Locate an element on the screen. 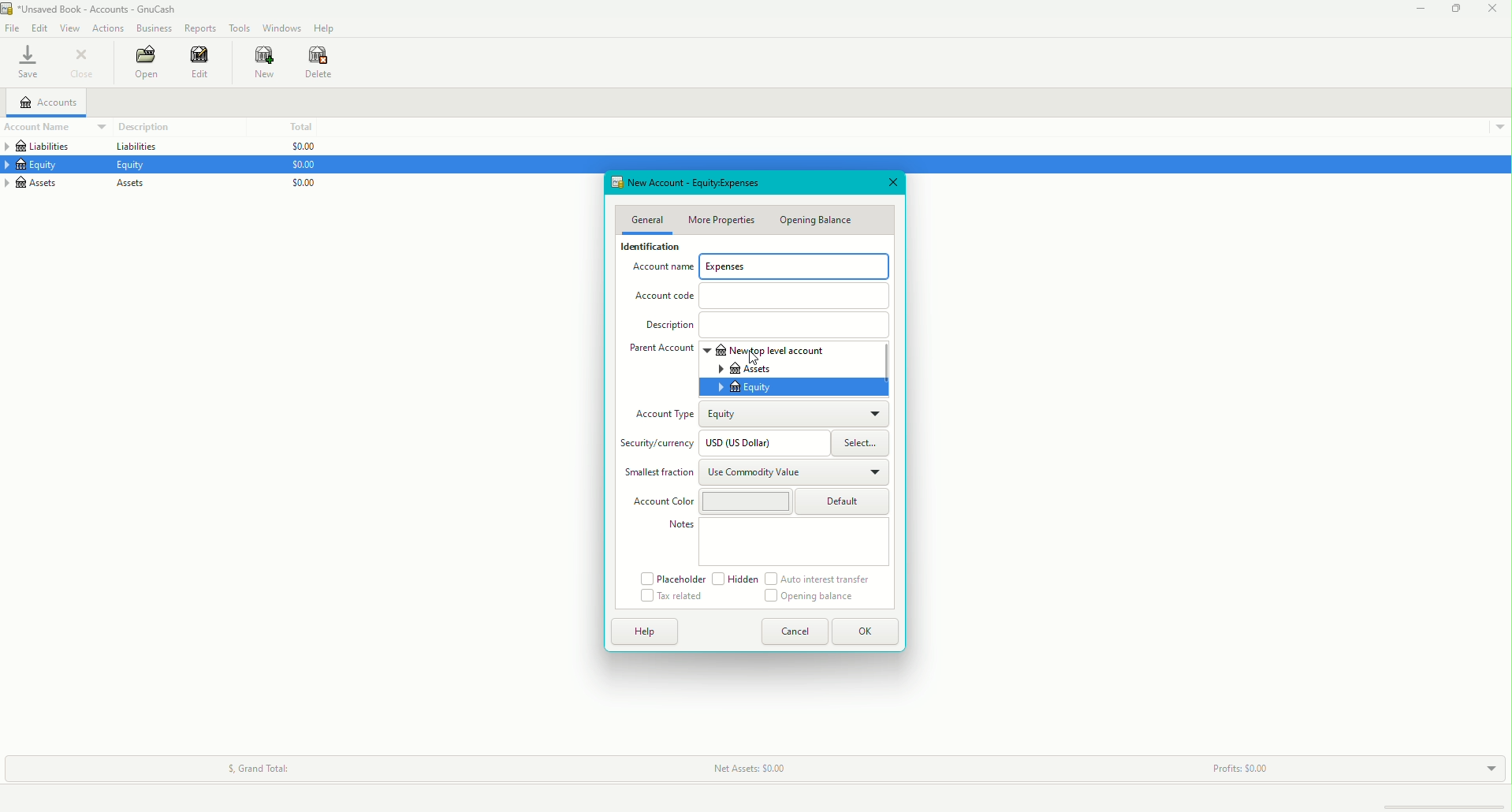 This screenshot has width=1512, height=812. Net Assets is located at coordinates (746, 769).